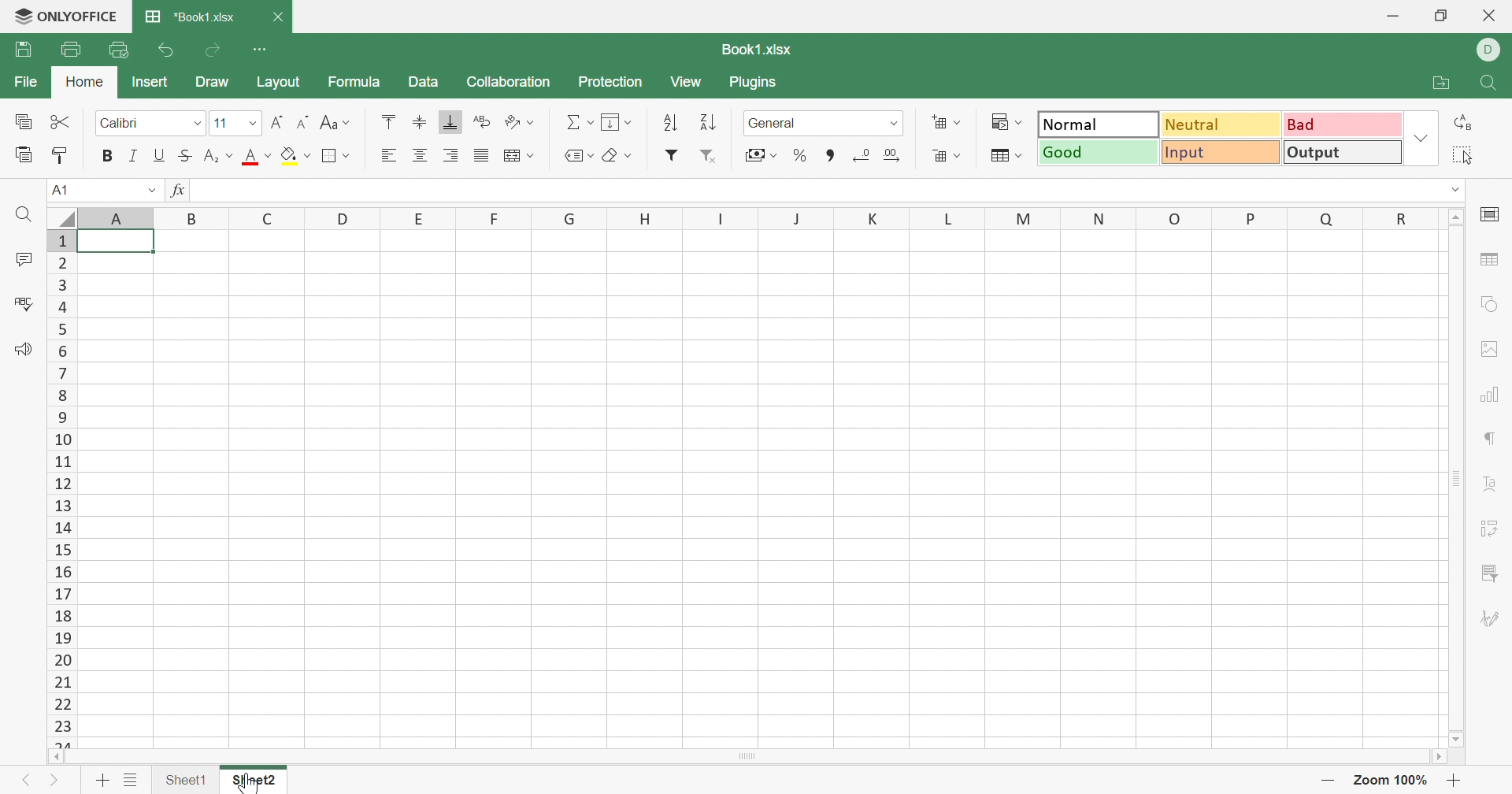 The image size is (1512, 794). What do you see at coordinates (775, 155) in the screenshot?
I see `Drop Down` at bounding box center [775, 155].